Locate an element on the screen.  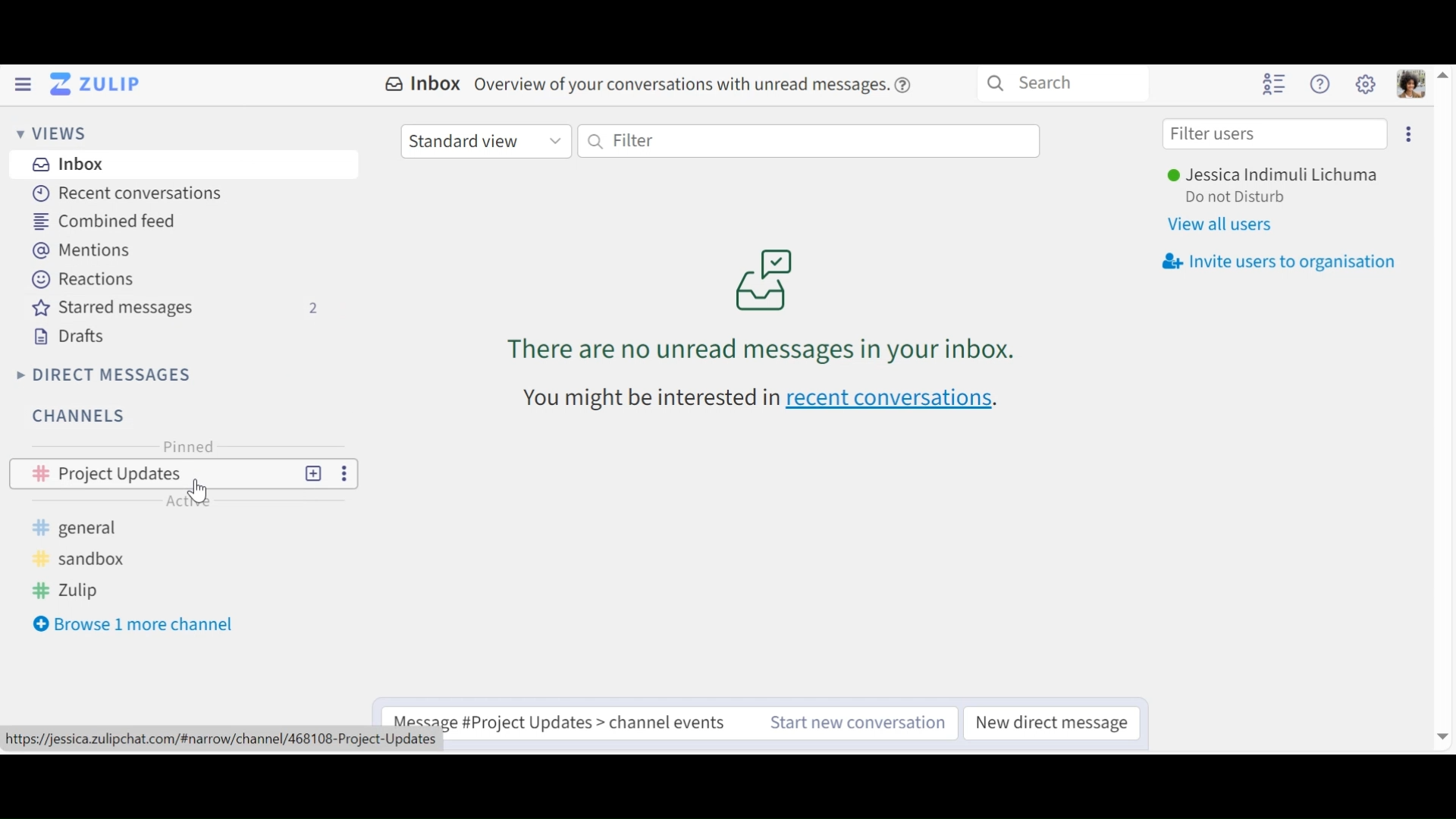
cursor is located at coordinates (202, 490).